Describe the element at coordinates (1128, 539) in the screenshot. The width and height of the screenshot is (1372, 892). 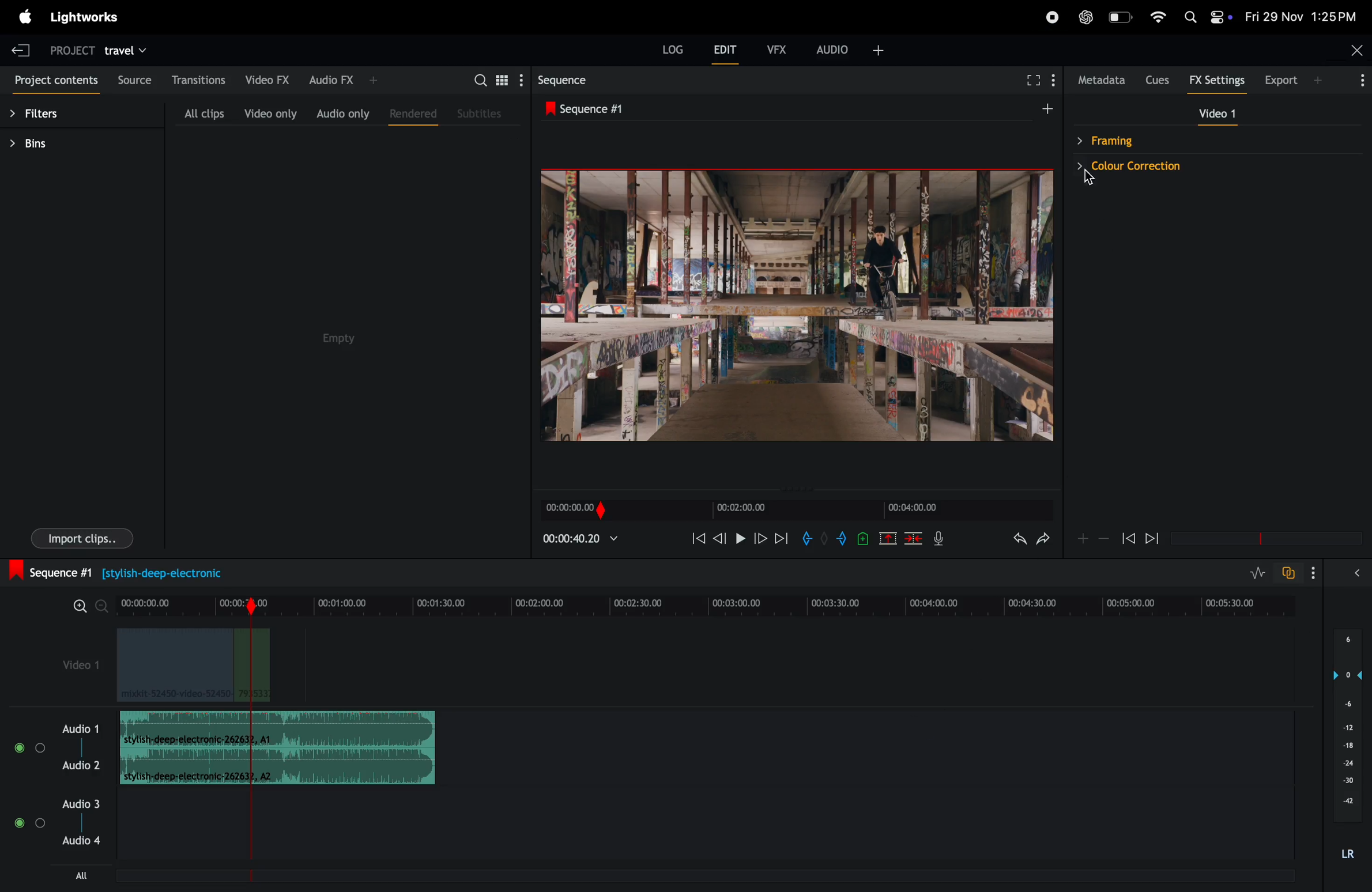
I see `rewind` at that location.